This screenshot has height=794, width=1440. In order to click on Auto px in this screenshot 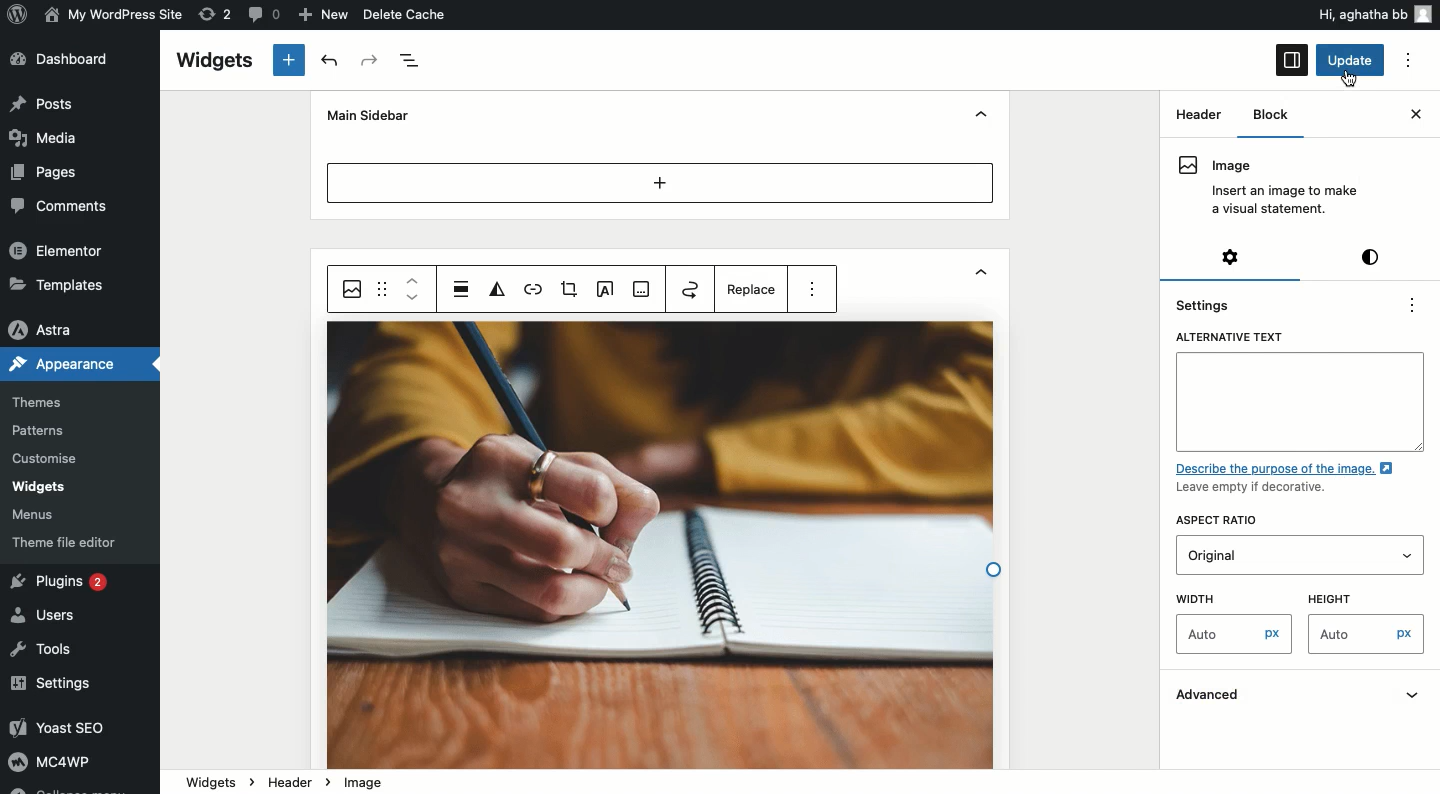, I will do `click(1235, 636)`.